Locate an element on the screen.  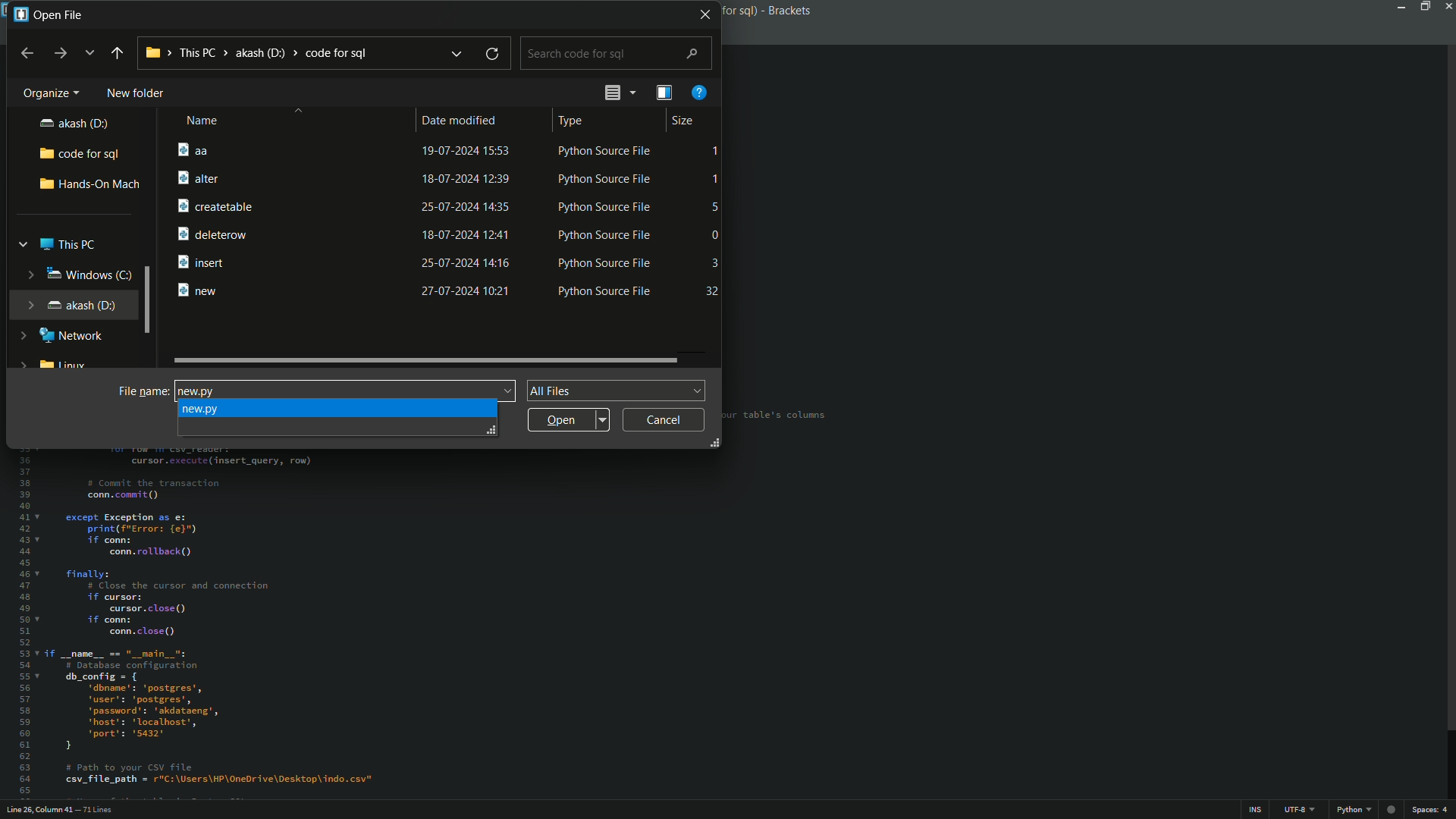
1 is located at coordinates (717, 152).